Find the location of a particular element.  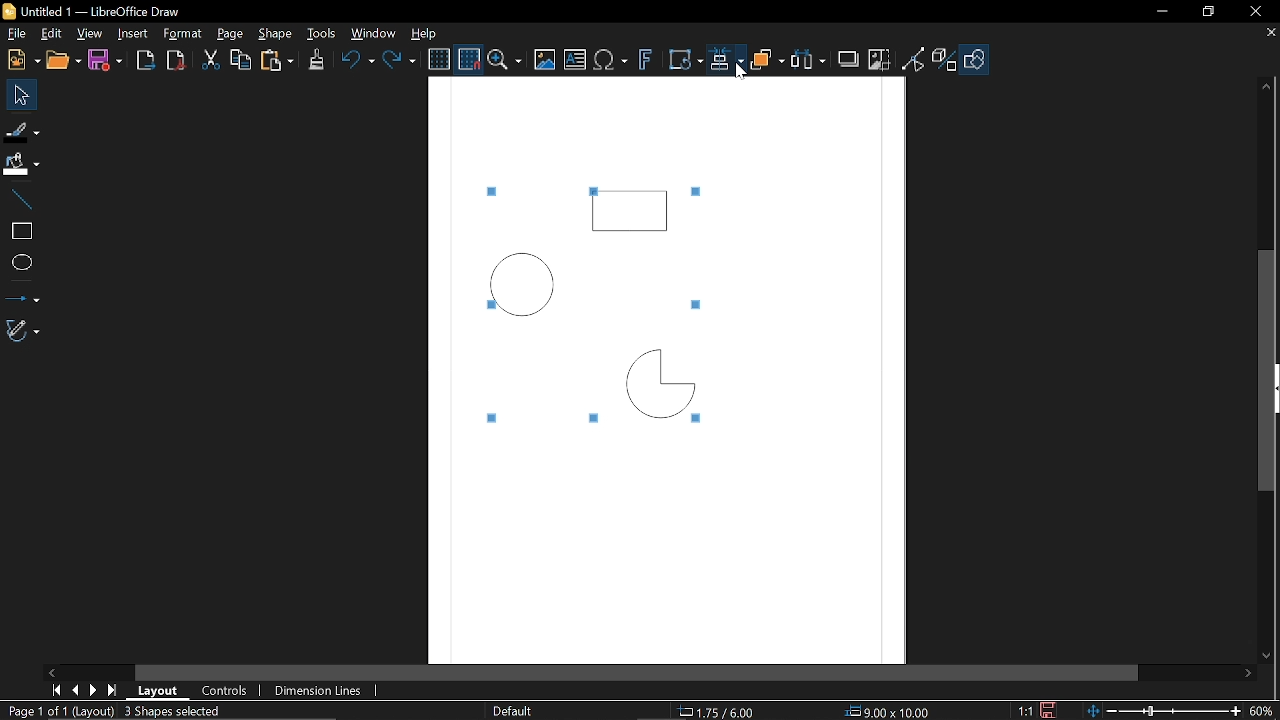

Tiny square marked around the selected objects is located at coordinates (496, 191).